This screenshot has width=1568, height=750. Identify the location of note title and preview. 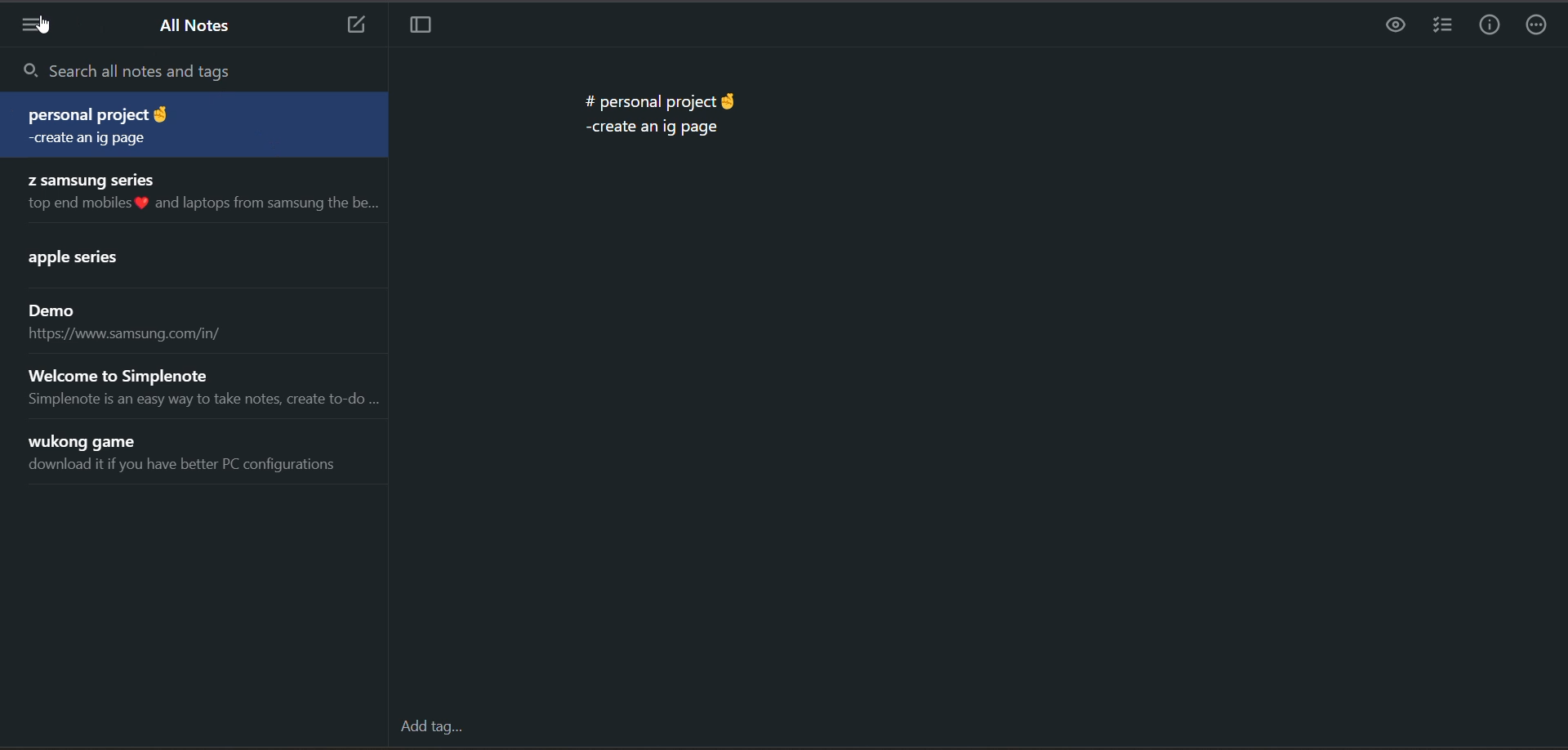
(128, 323).